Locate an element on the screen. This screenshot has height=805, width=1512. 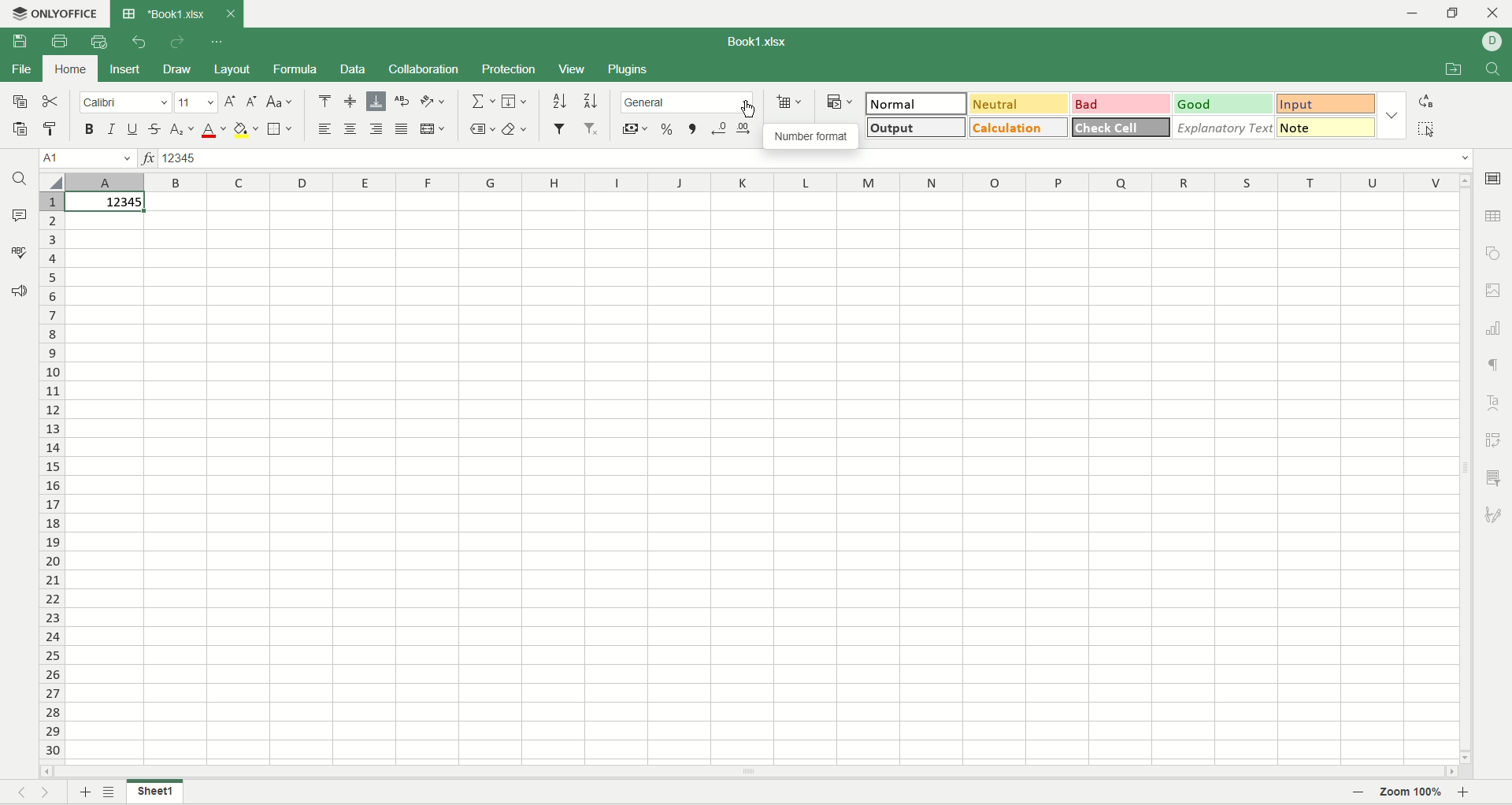
row number is located at coordinates (50, 476).